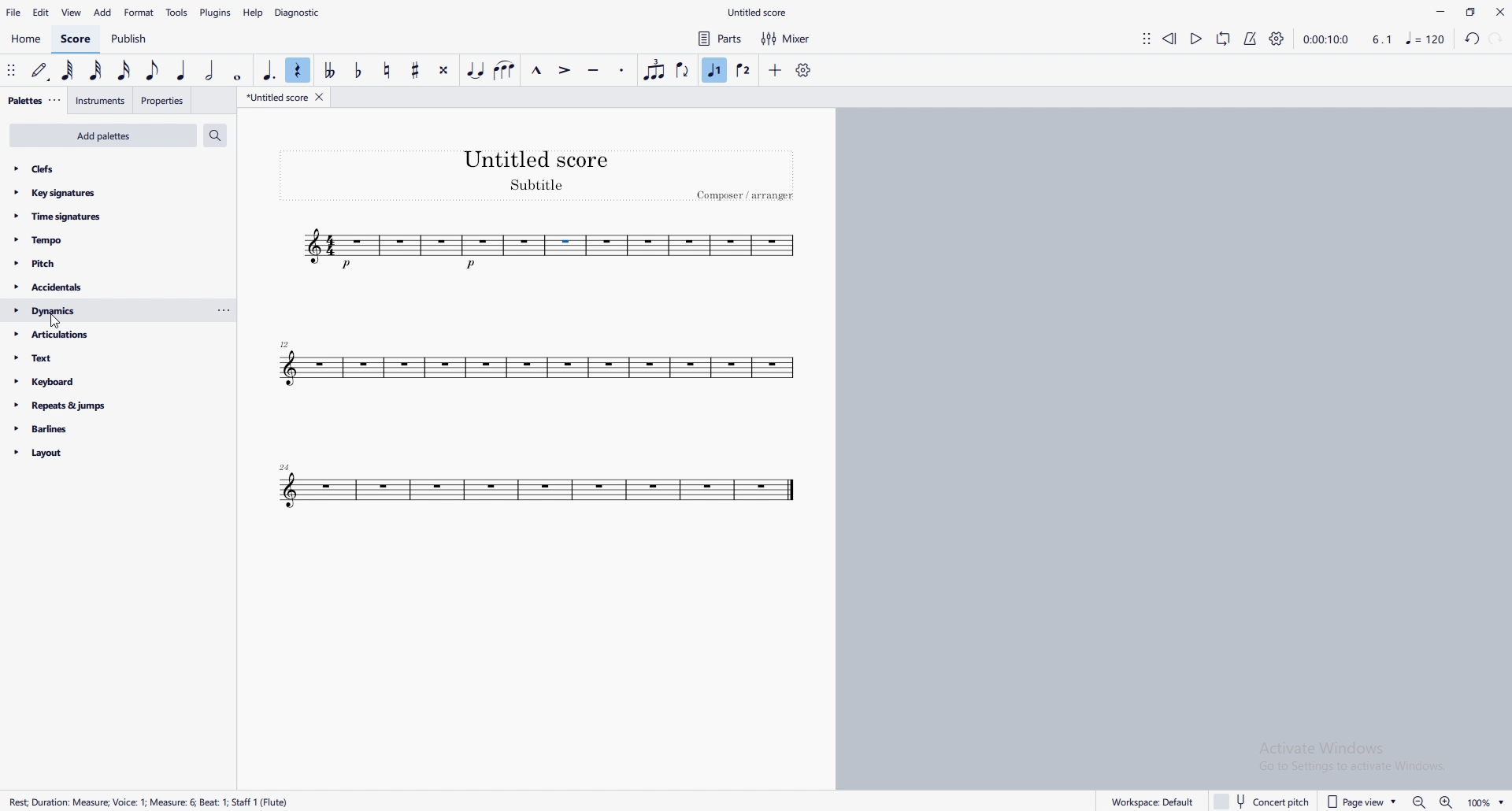  I want to click on maximize, so click(1471, 11).